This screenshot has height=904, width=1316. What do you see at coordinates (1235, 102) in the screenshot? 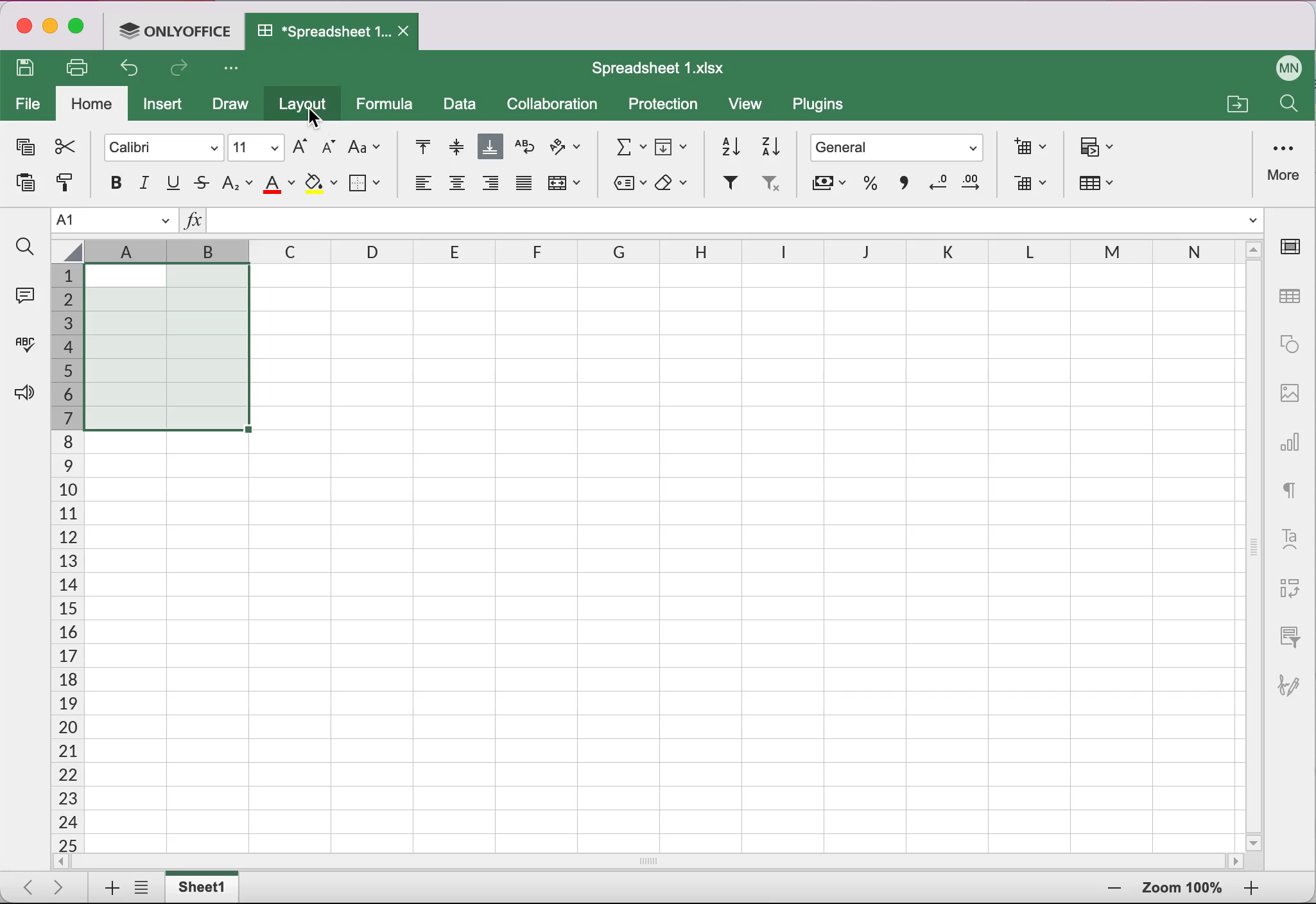
I see `open file location` at bounding box center [1235, 102].